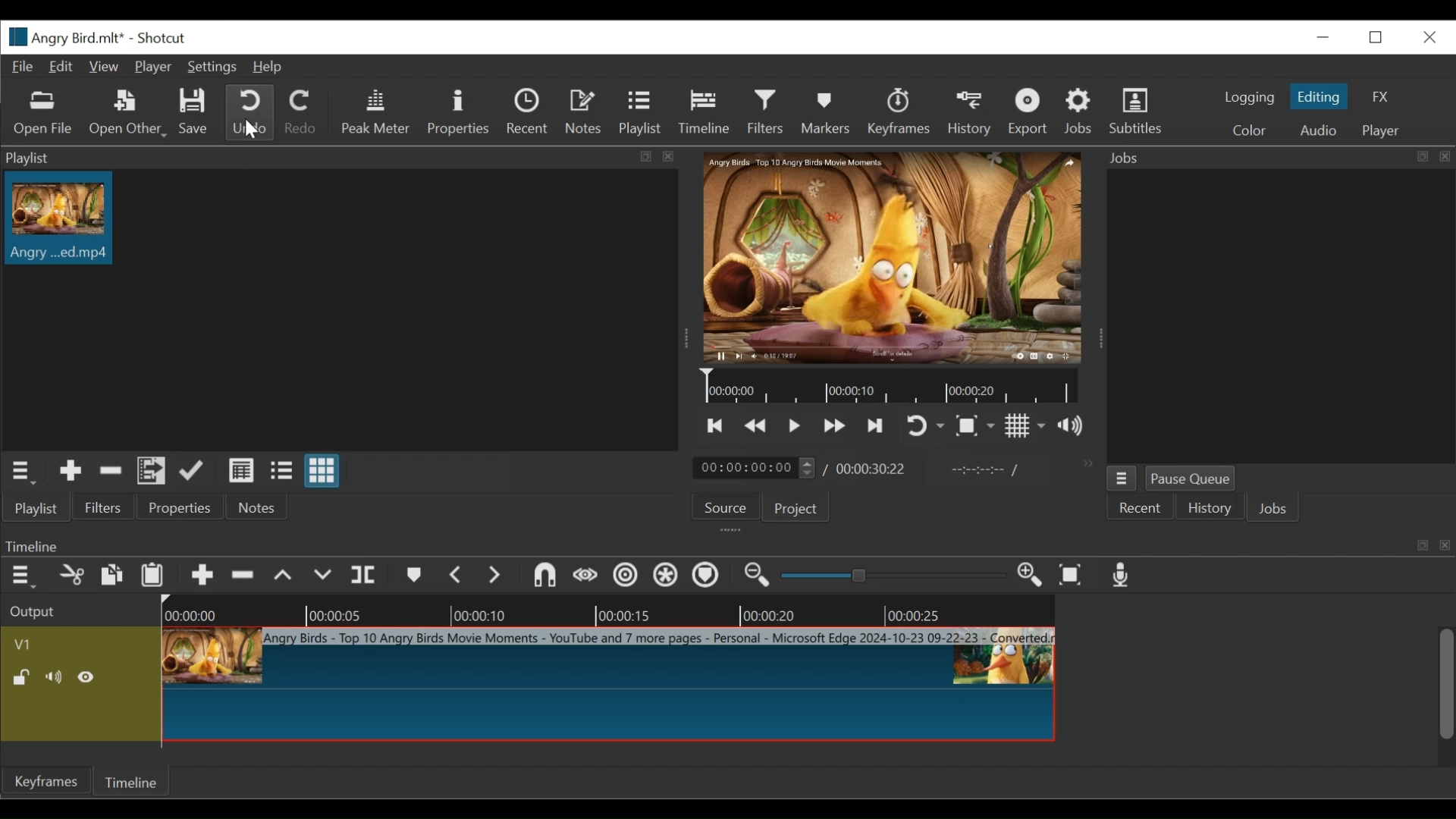 Image resolution: width=1456 pixels, height=819 pixels. I want to click on Append, so click(202, 575).